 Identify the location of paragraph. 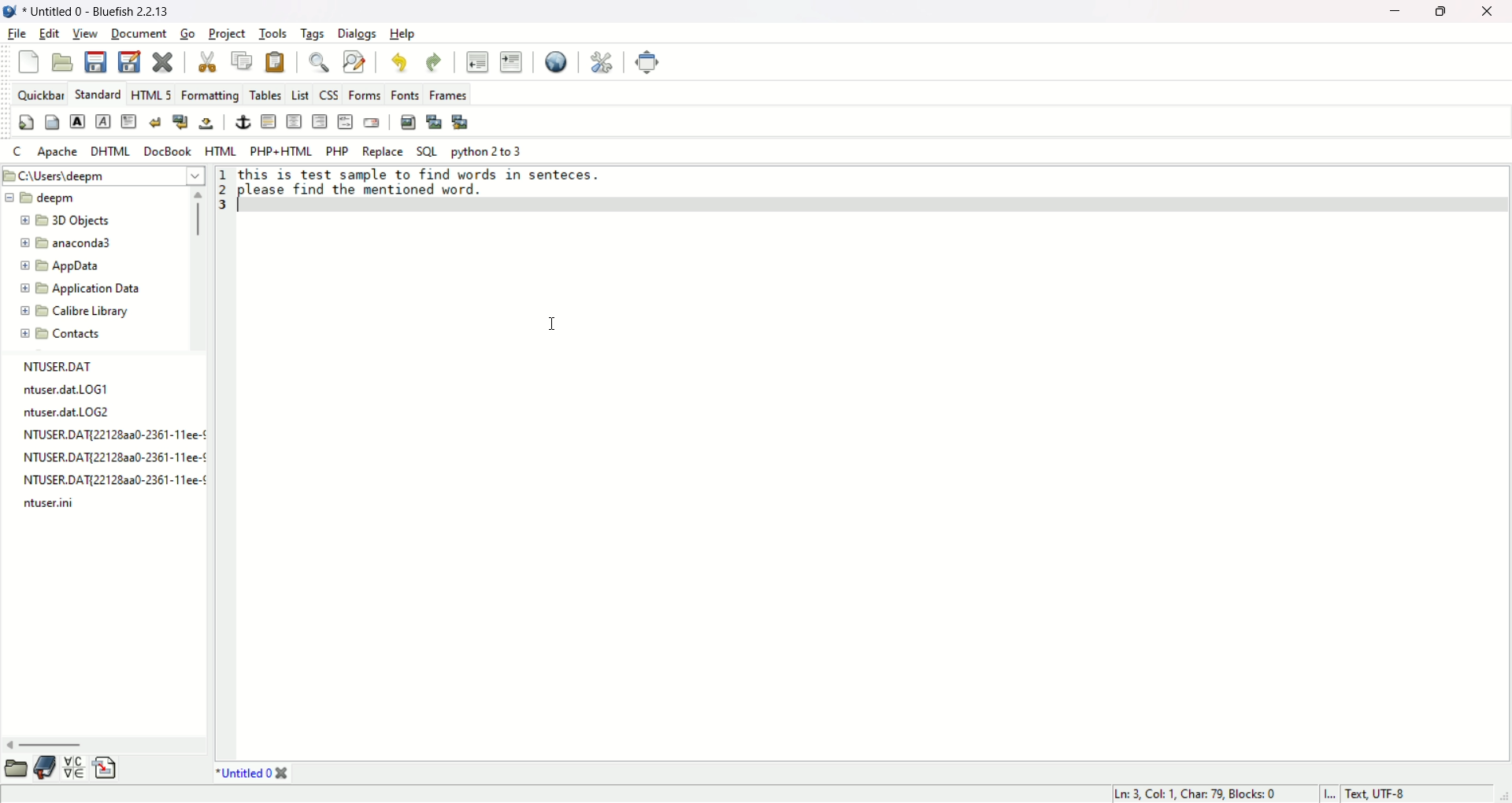
(128, 121).